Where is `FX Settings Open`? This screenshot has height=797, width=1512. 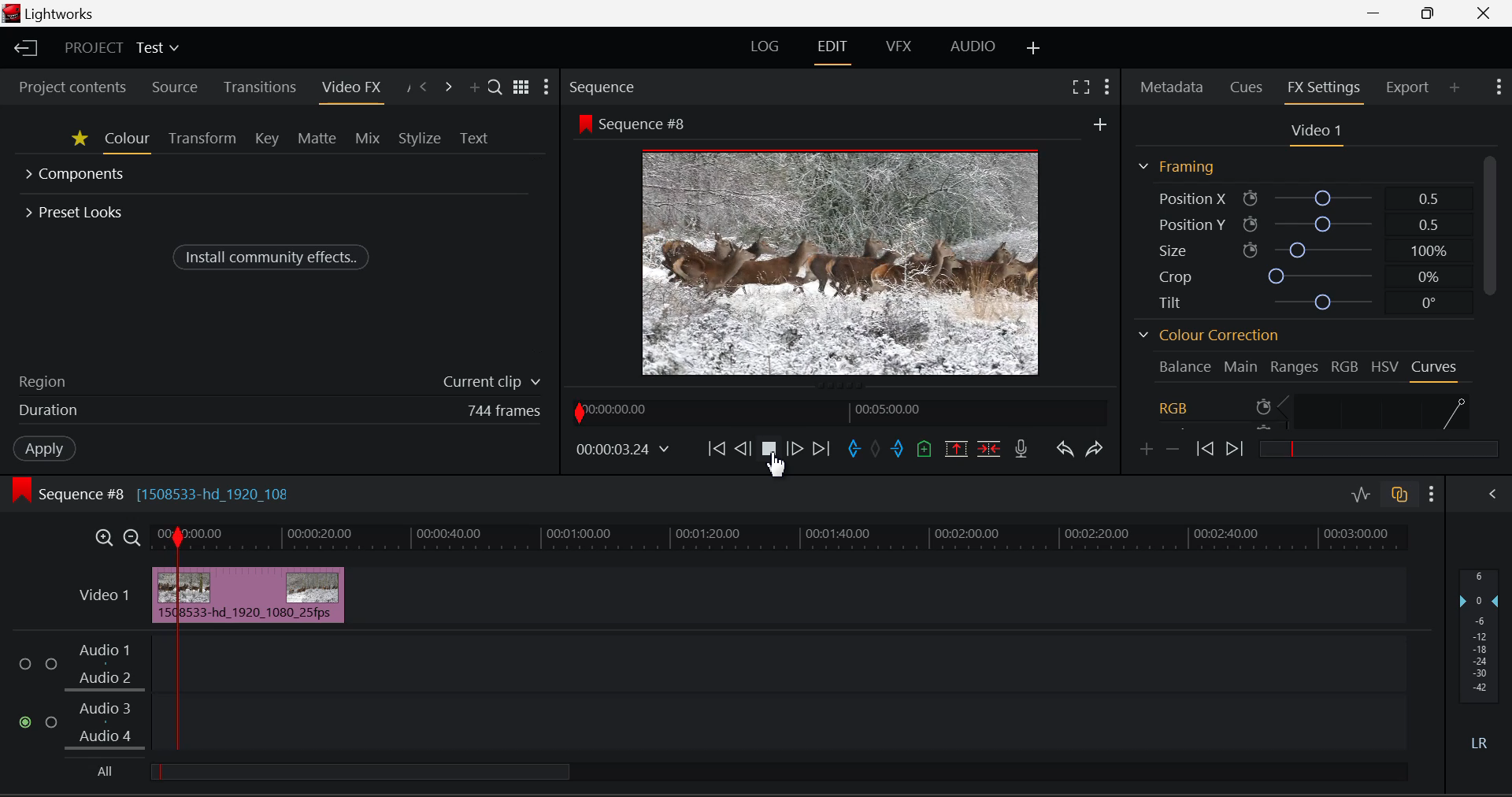 FX Settings Open is located at coordinates (1324, 89).